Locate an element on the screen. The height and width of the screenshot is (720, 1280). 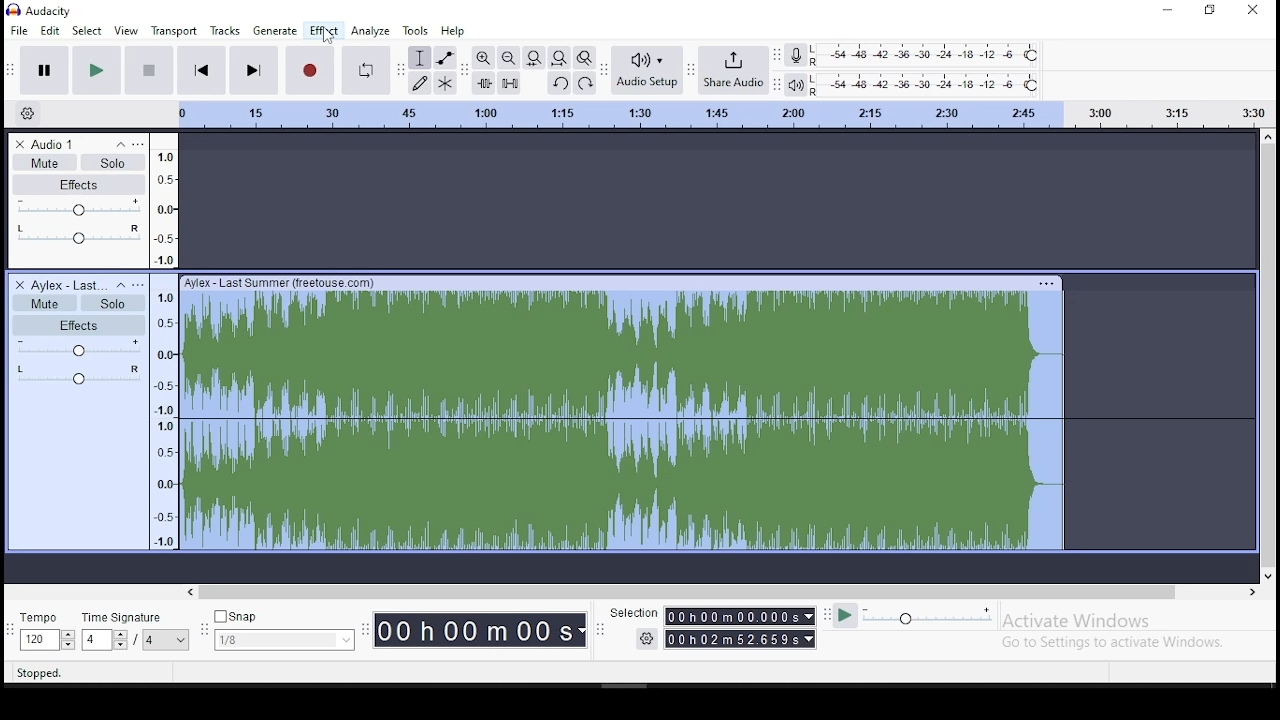
volume is located at coordinates (80, 210).